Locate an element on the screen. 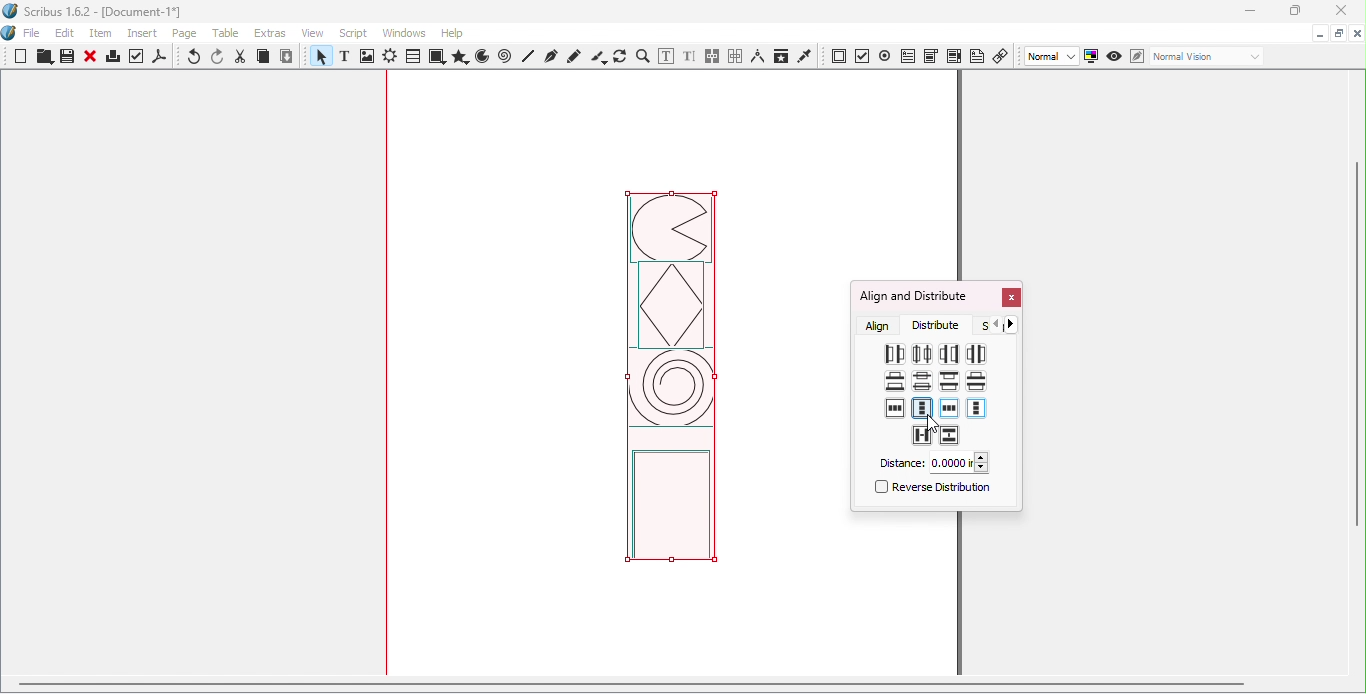  Make horizontal gaps between items equal to the values specified is located at coordinates (921, 435).